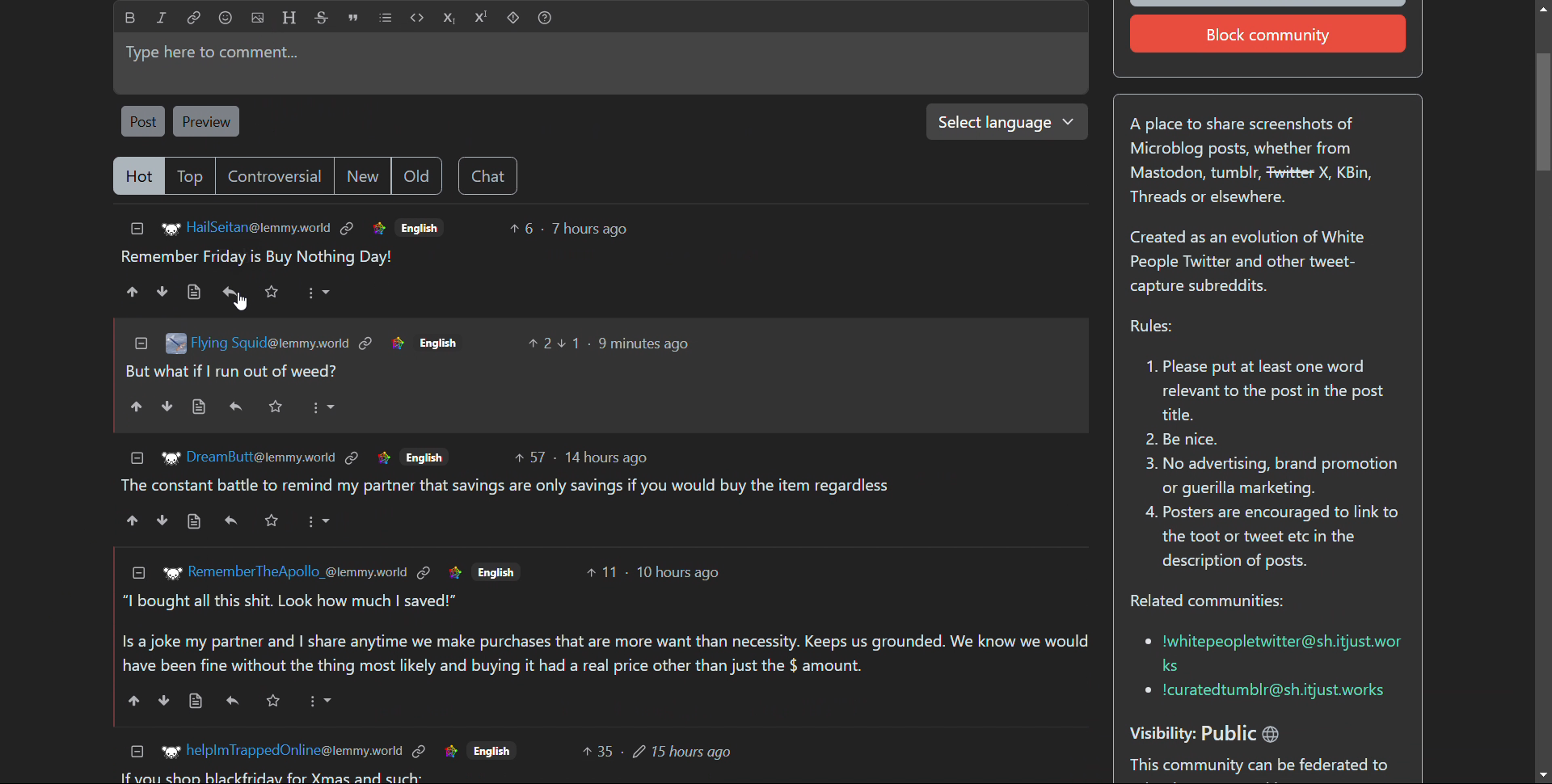 Image resolution: width=1552 pixels, height=784 pixels. Describe the element at coordinates (260, 457) in the screenshot. I see `username` at that location.